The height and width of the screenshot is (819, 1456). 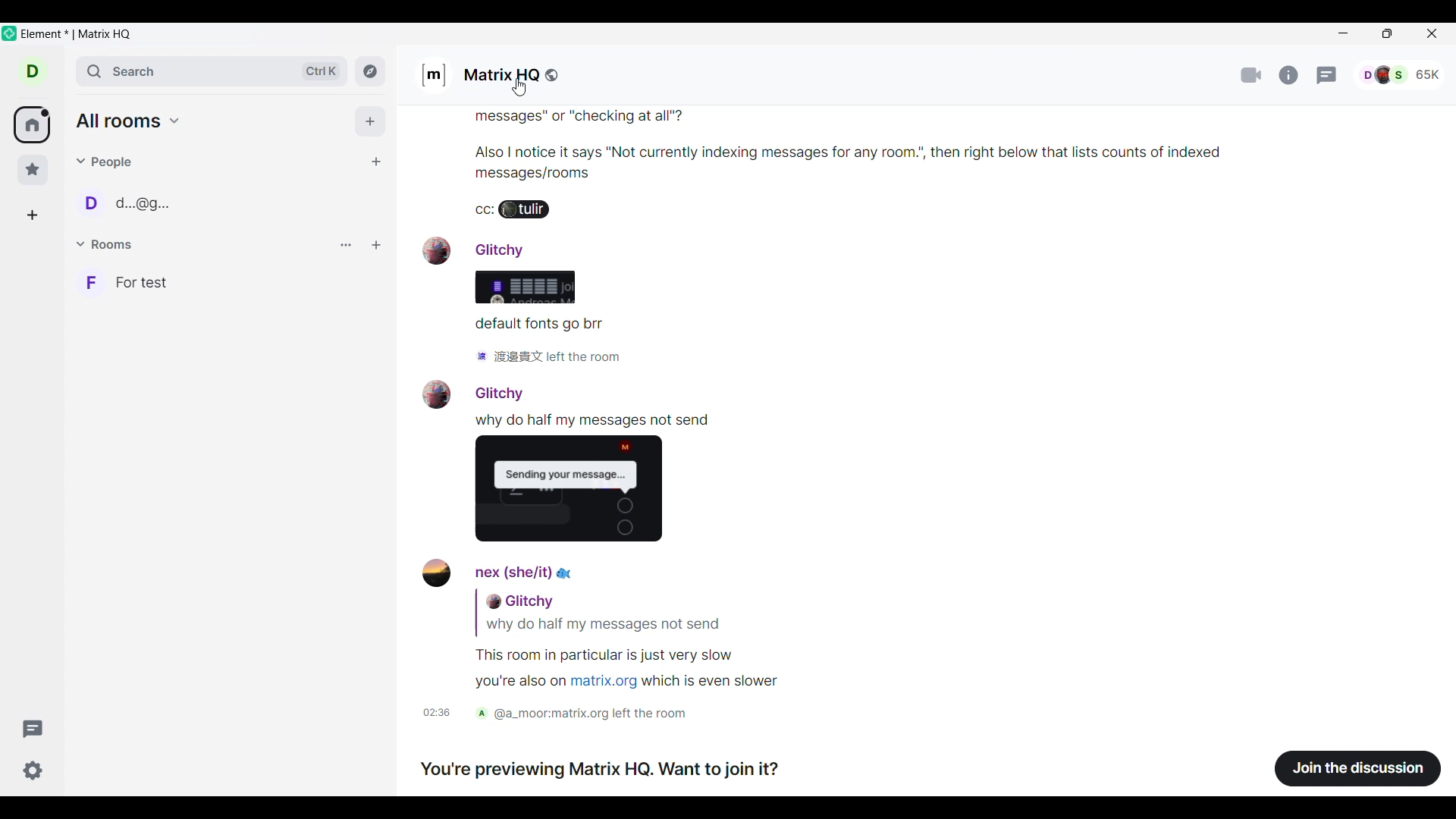 I want to click on 渡邊貴文 left the room, so click(x=548, y=358).